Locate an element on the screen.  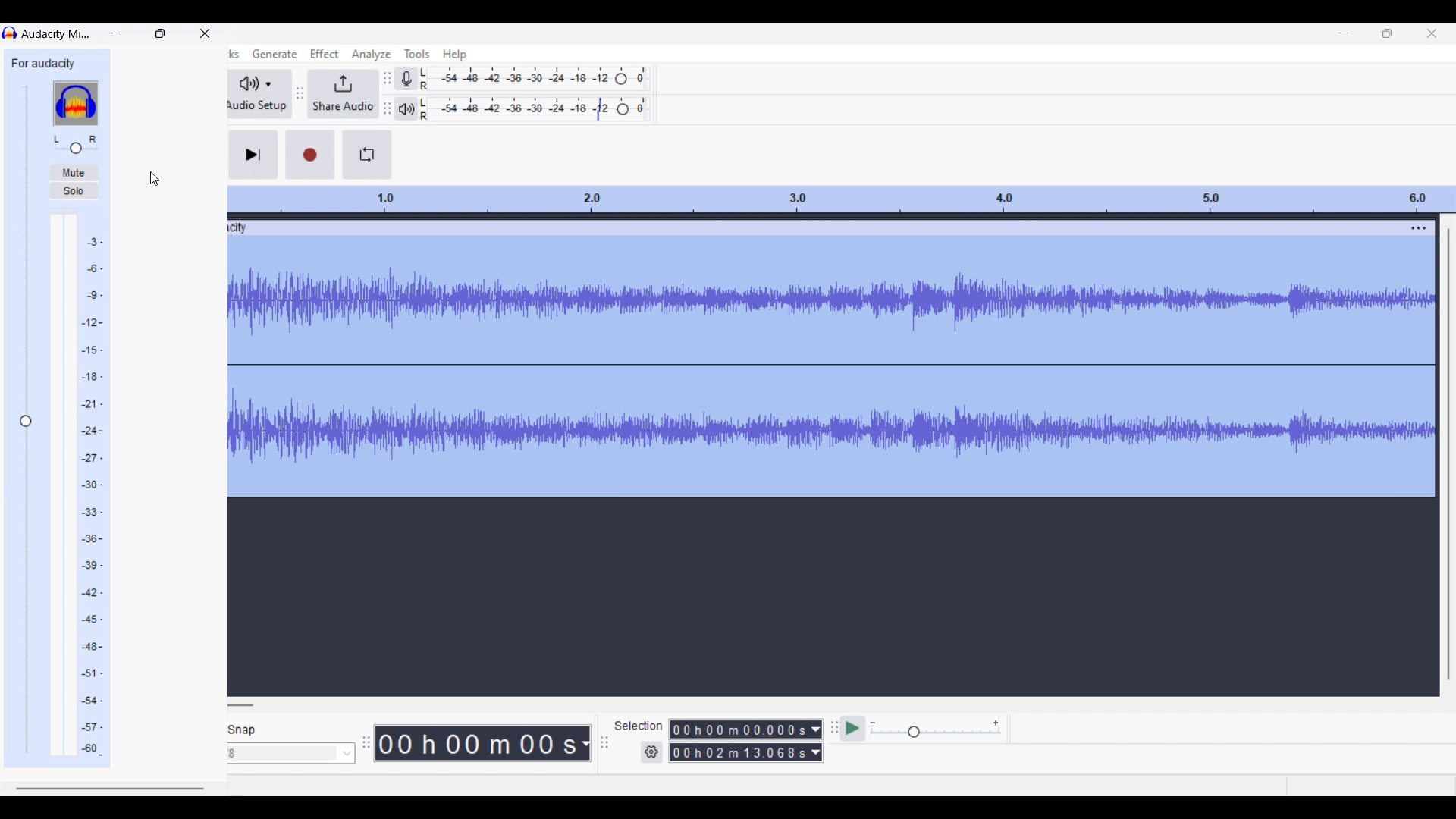
Vertical slide bar is located at coordinates (1448, 454).